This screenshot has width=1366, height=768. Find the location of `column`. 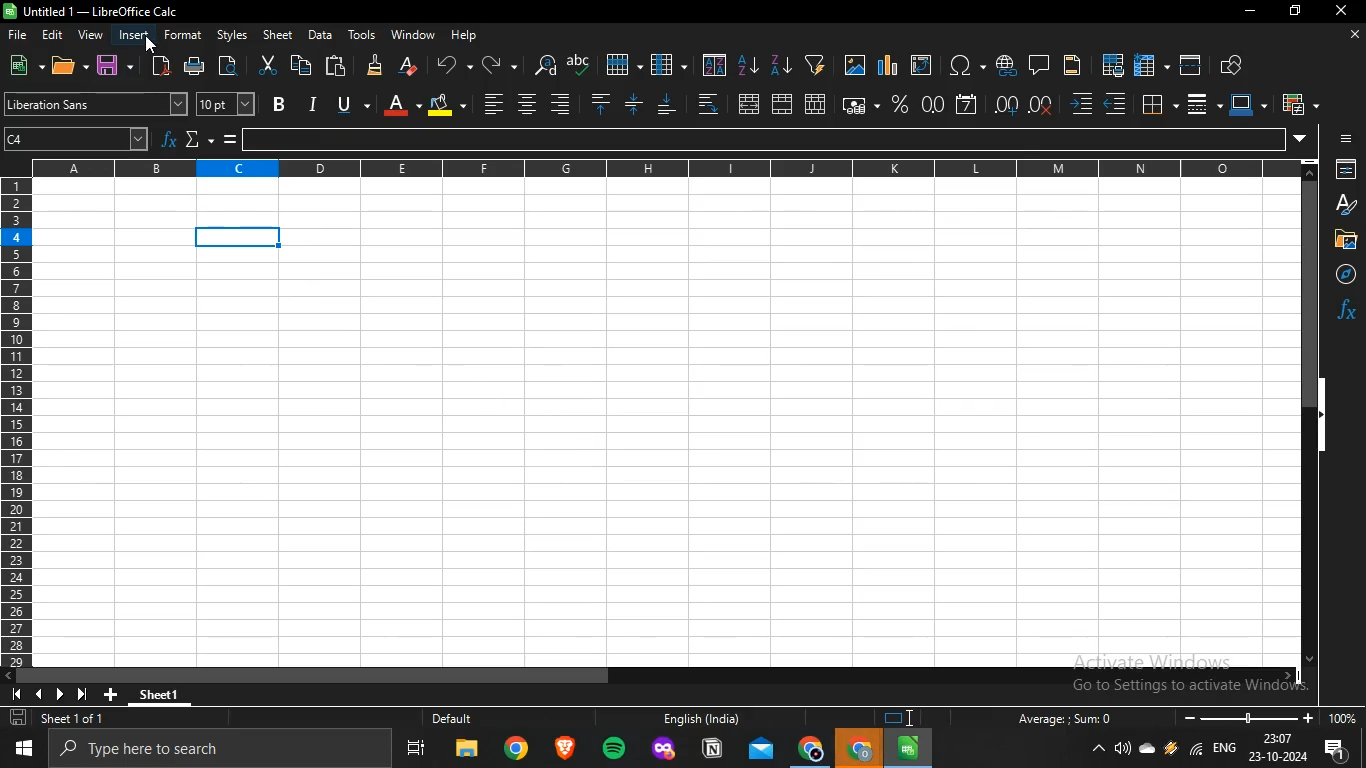

column is located at coordinates (668, 65).